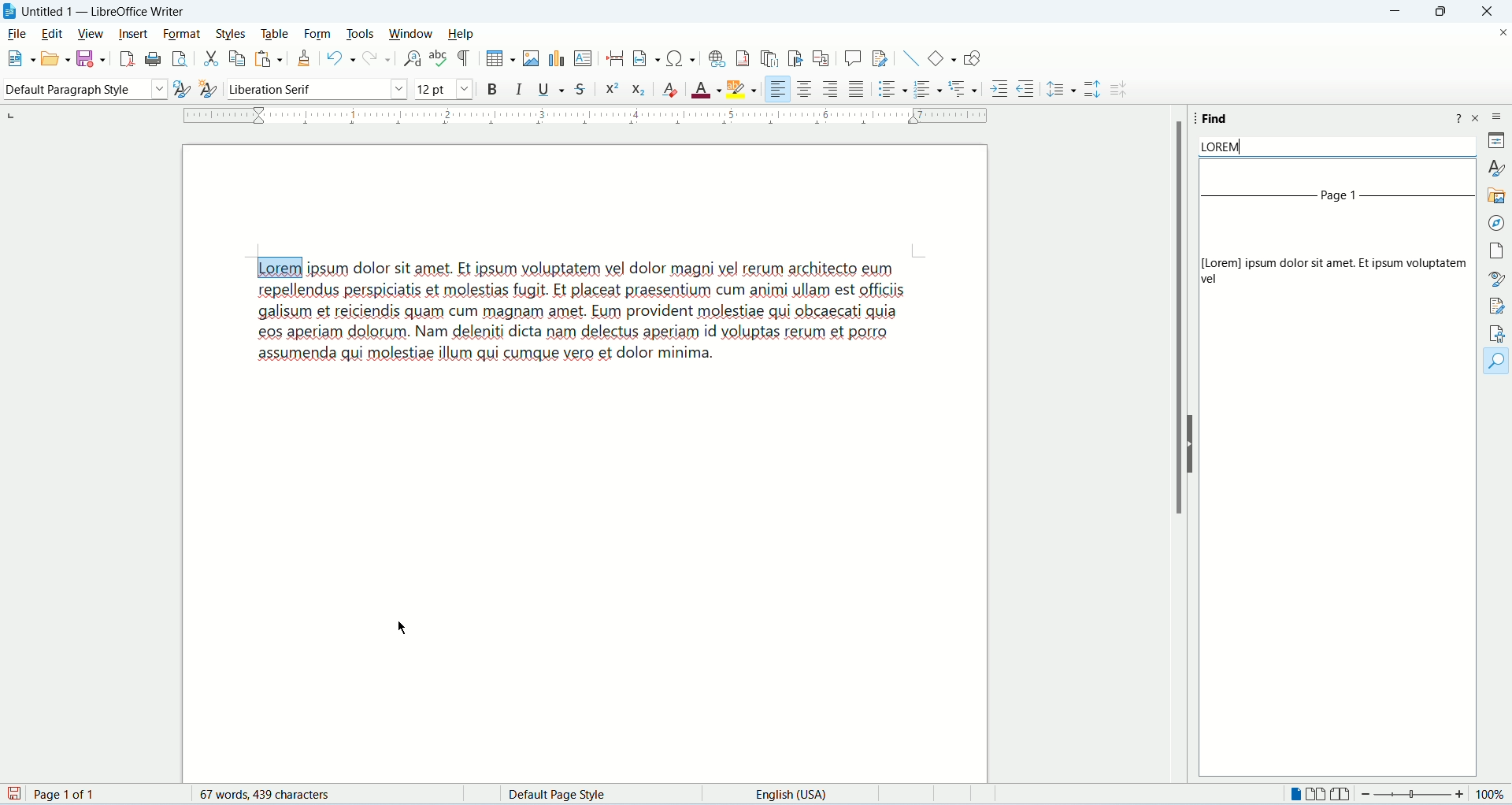 This screenshot has height=805, width=1512. Describe the element at coordinates (91, 59) in the screenshot. I see `save` at that location.